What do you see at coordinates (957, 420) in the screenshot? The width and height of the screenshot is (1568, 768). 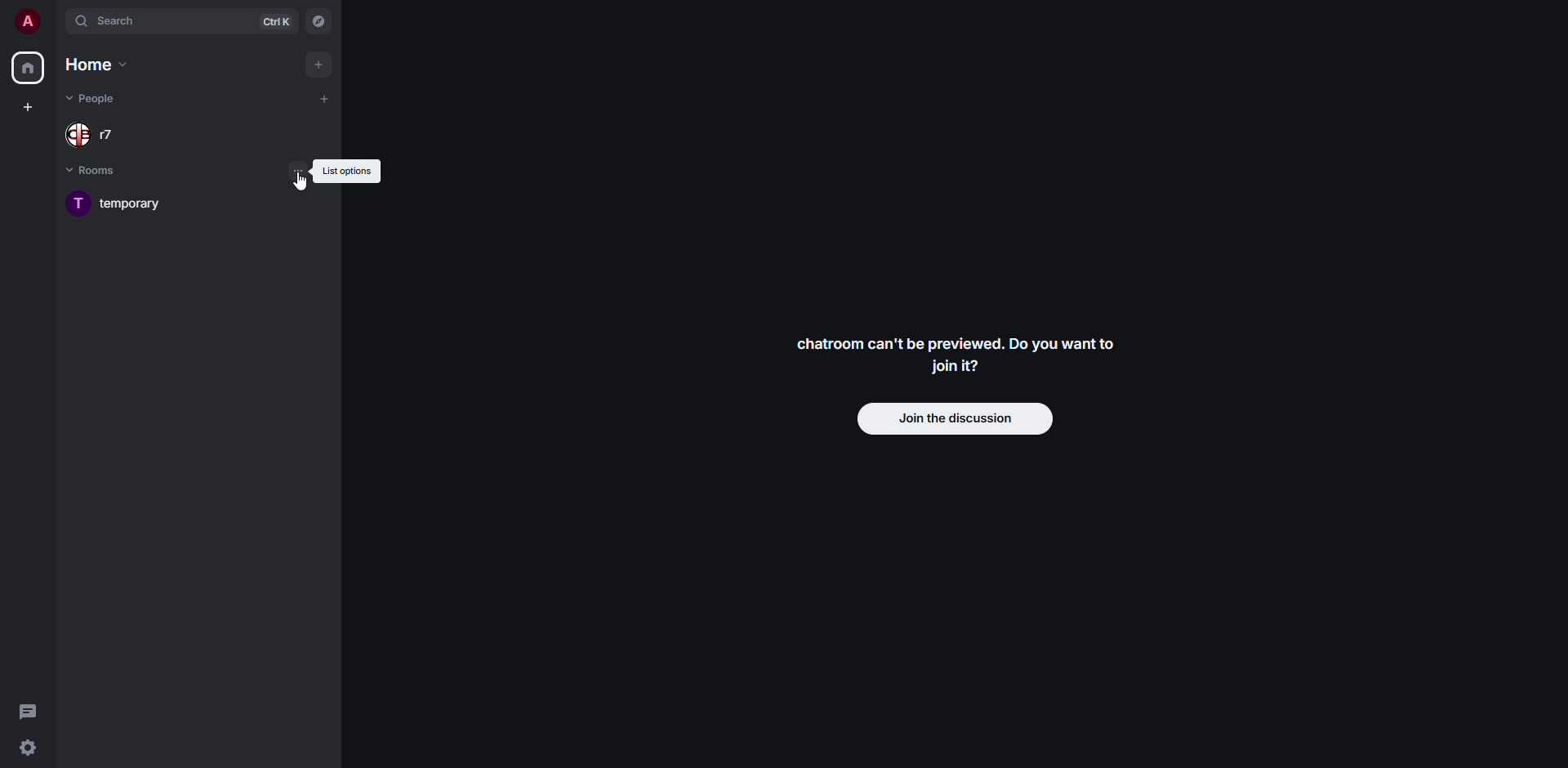 I see `join discussion` at bounding box center [957, 420].